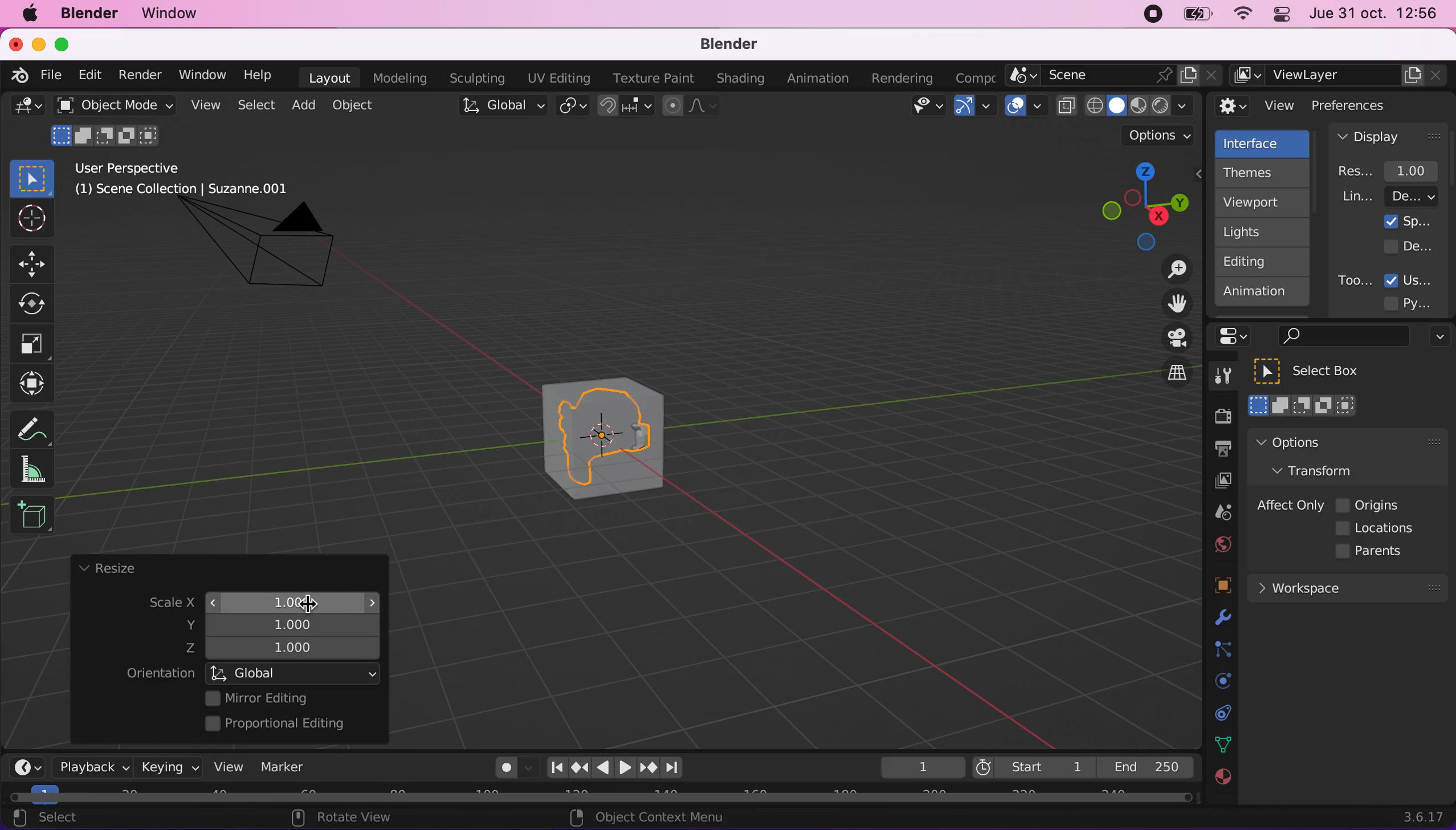 This screenshot has width=1456, height=830. I want to click on jump to keyframe, so click(649, 770).